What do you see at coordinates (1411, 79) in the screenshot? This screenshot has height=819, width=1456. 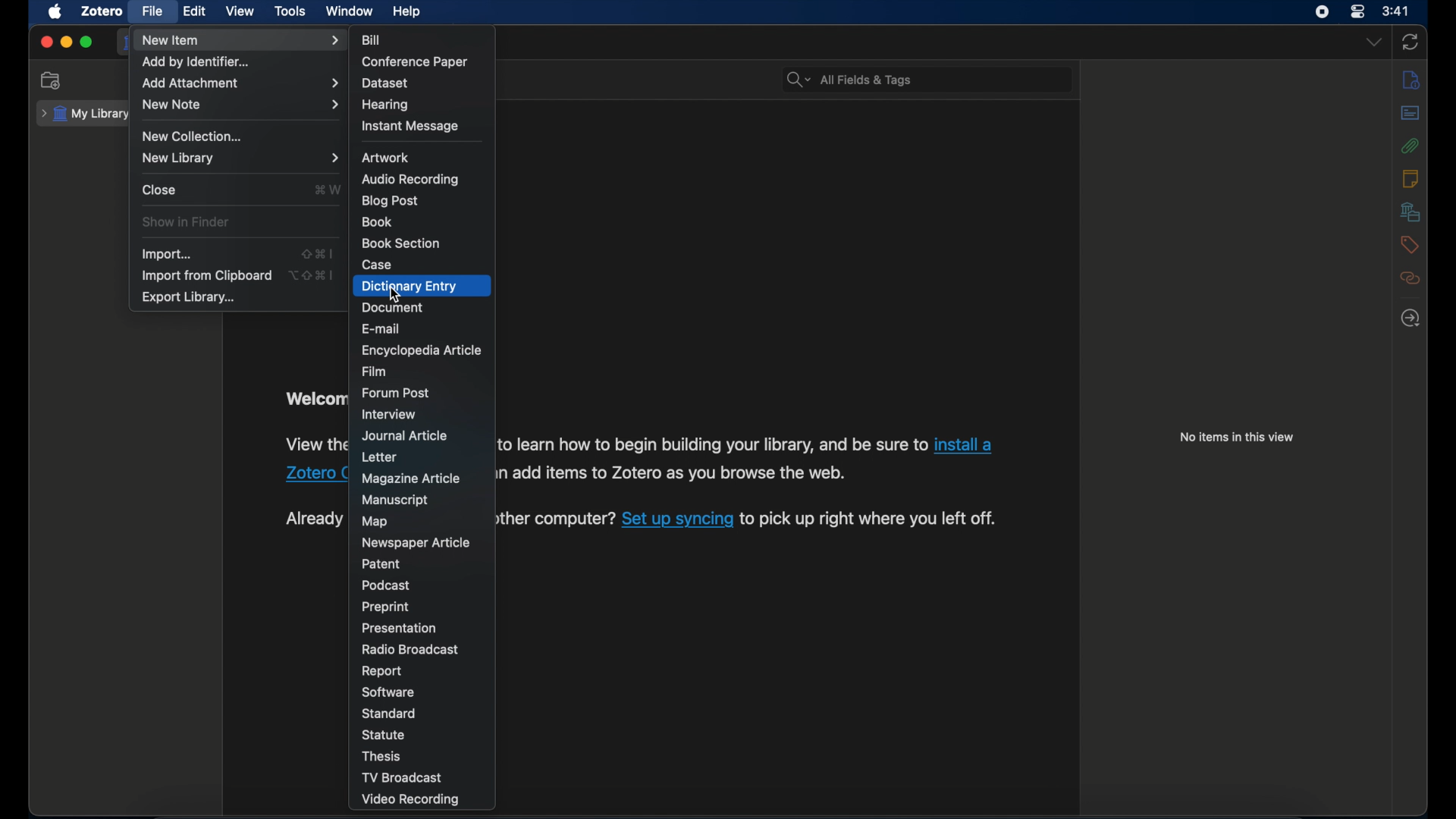 I see `info` at bounding box center [1411, 79].